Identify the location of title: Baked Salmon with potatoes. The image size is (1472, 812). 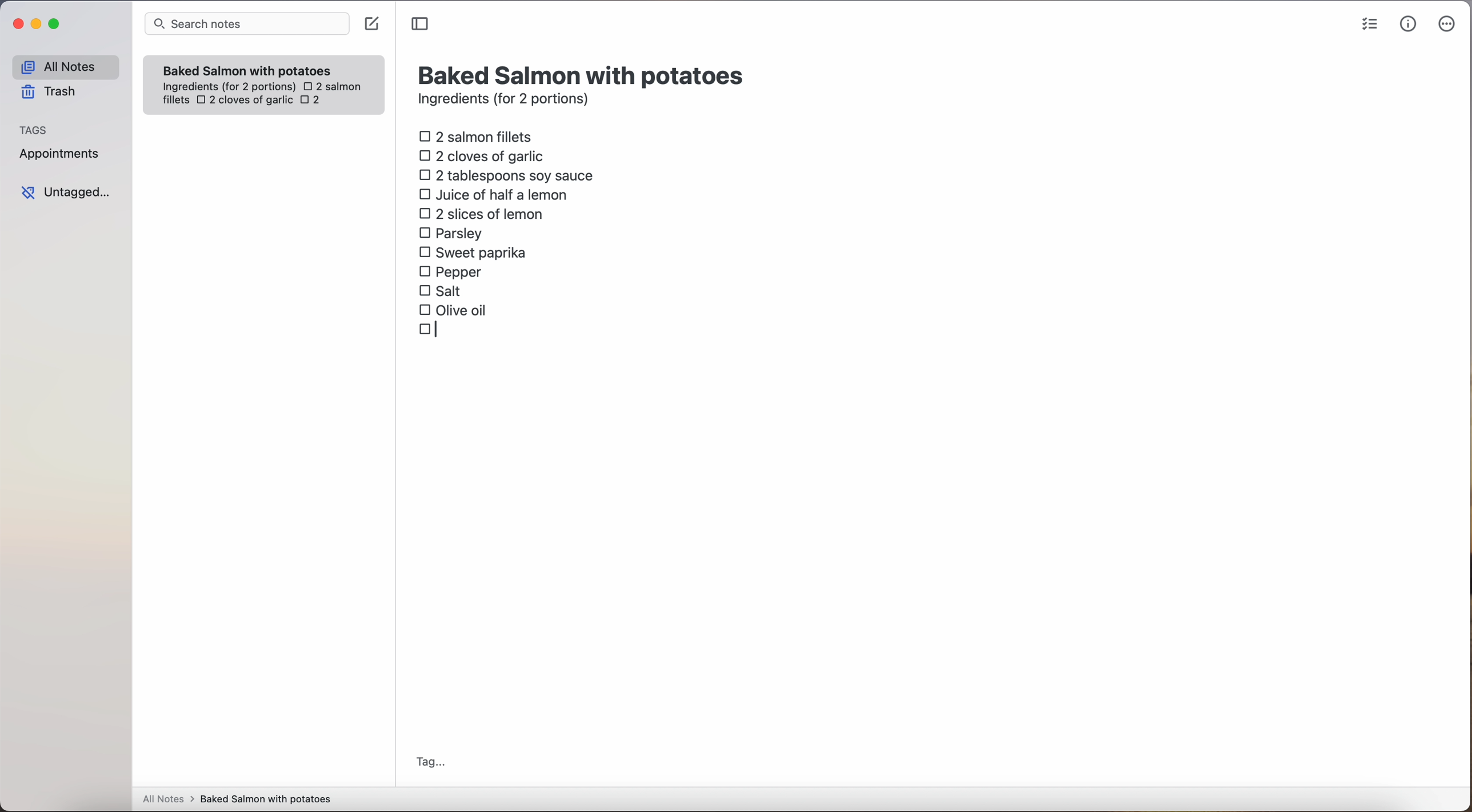
(583, 74).